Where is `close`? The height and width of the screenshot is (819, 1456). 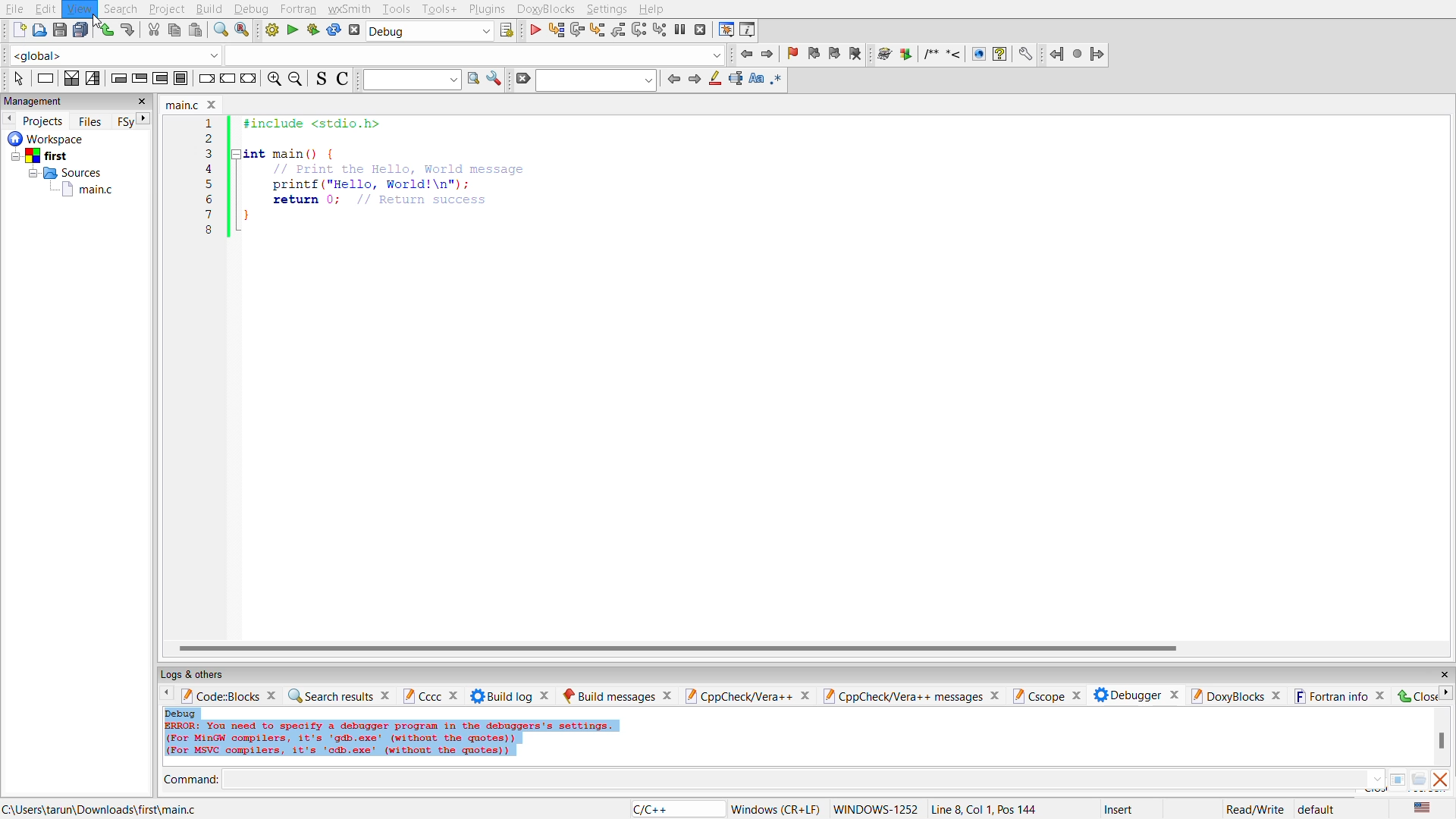
close is located at coordinates (1442, 675).